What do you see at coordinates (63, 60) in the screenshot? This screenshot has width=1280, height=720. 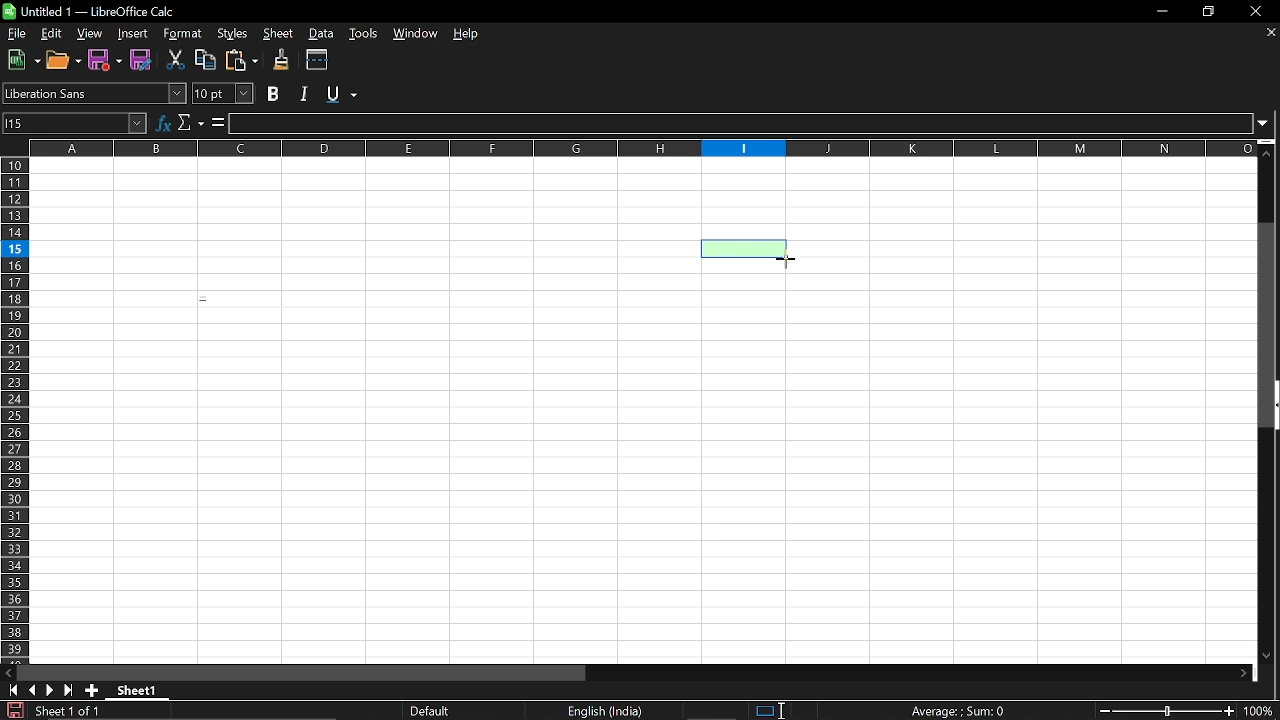 I see `Open` at bounding box center [63, 60].